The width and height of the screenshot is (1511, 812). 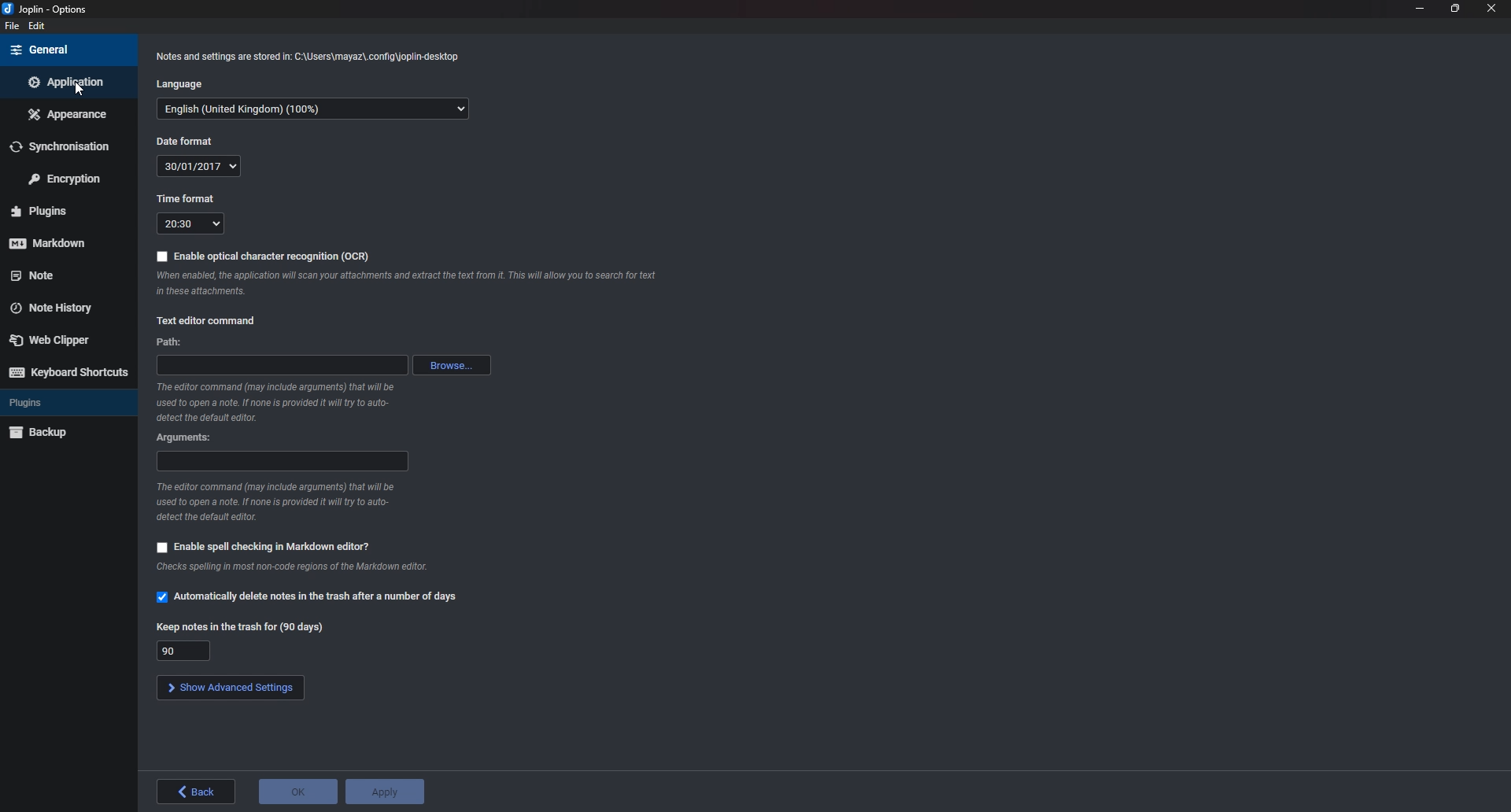 I want to click on Time format, so click(x=184, y=198).